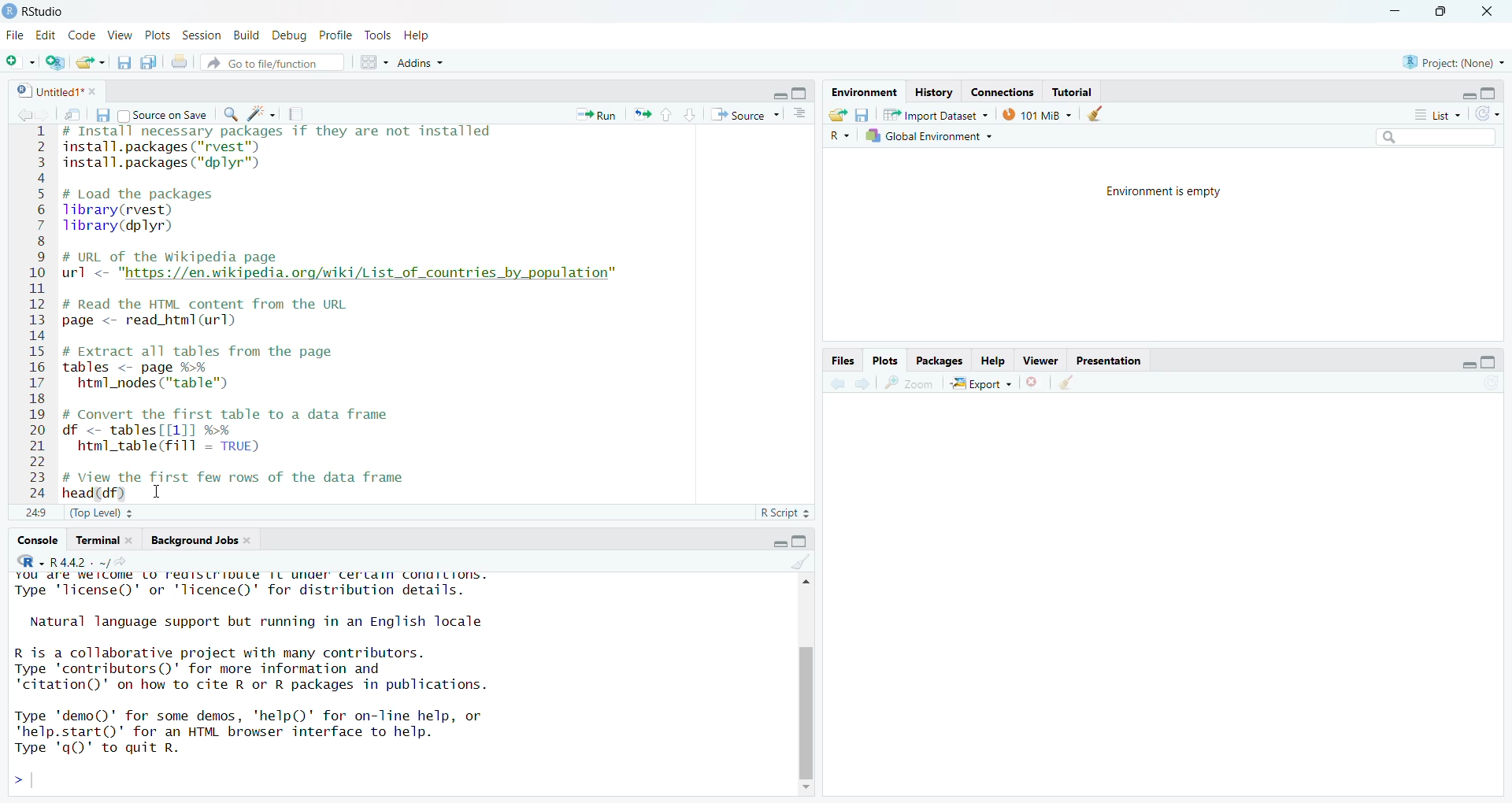 The width and height of the screenshot is (1512, 803). I want to click on minimize, so click(1395, 12).